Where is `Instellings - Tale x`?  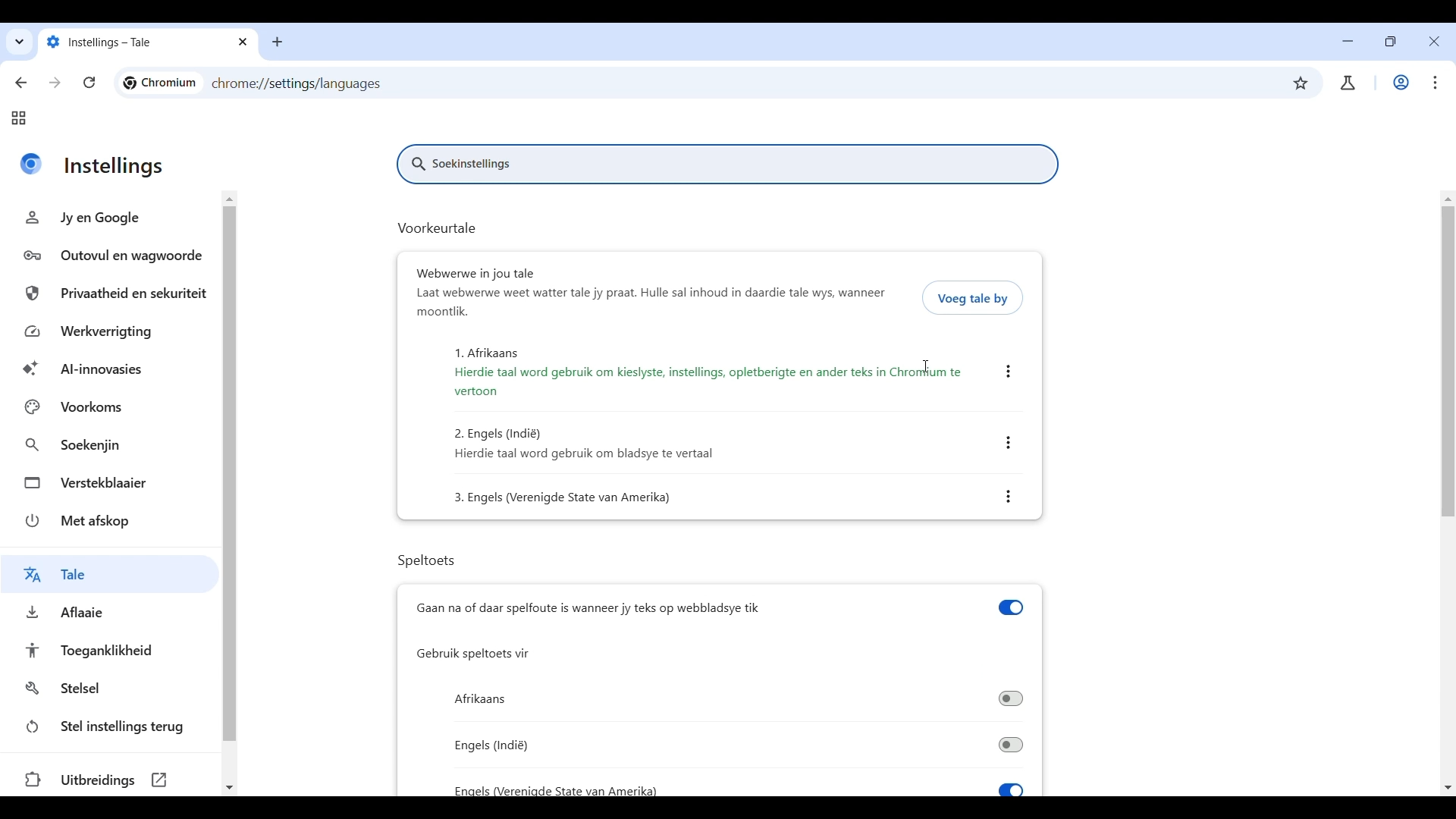
Instellings - Tale x is located at coordinates (135, 44).